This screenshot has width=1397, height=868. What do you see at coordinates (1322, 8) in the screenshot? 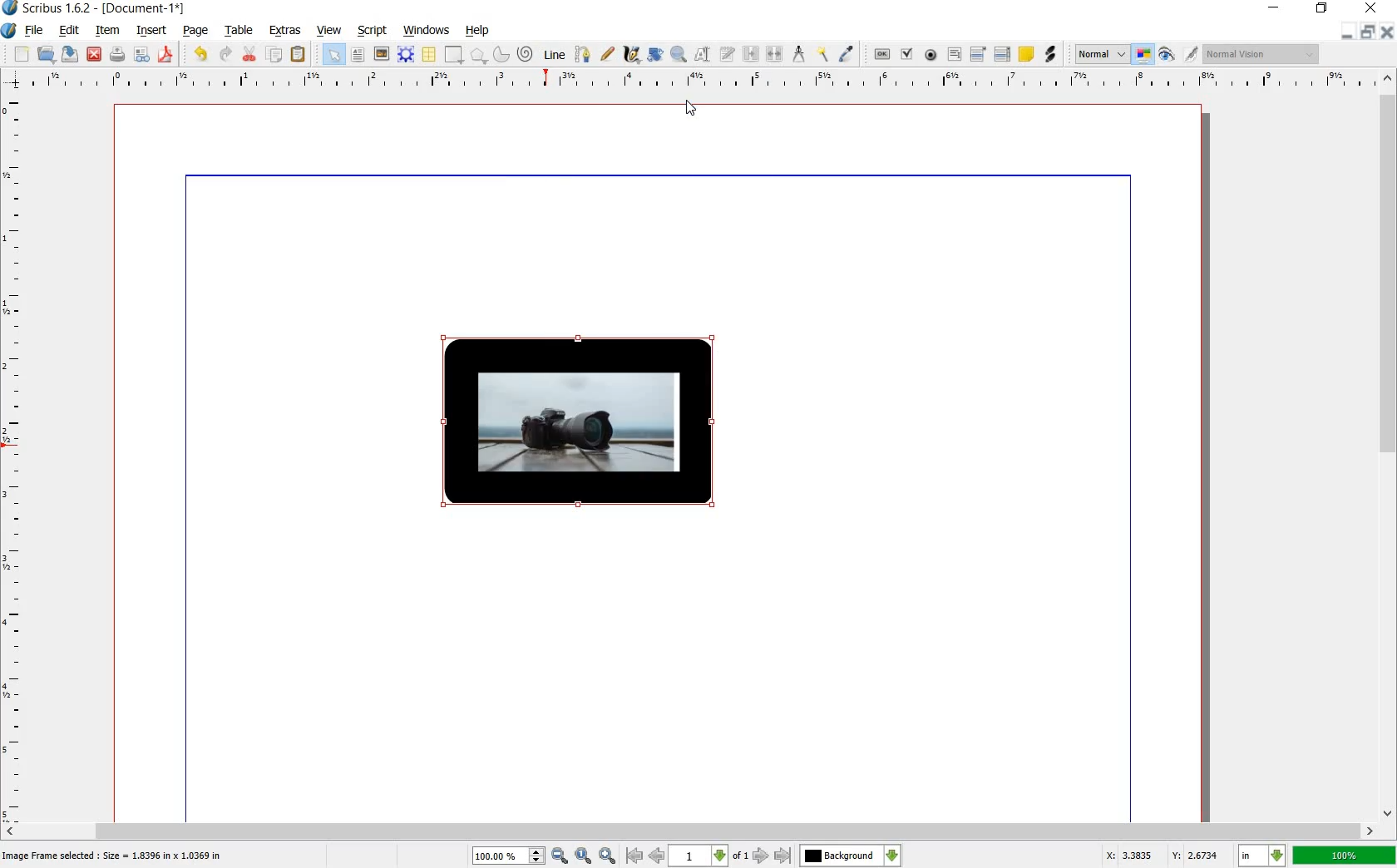
I see `restore` at bounding box center [1322, 8].